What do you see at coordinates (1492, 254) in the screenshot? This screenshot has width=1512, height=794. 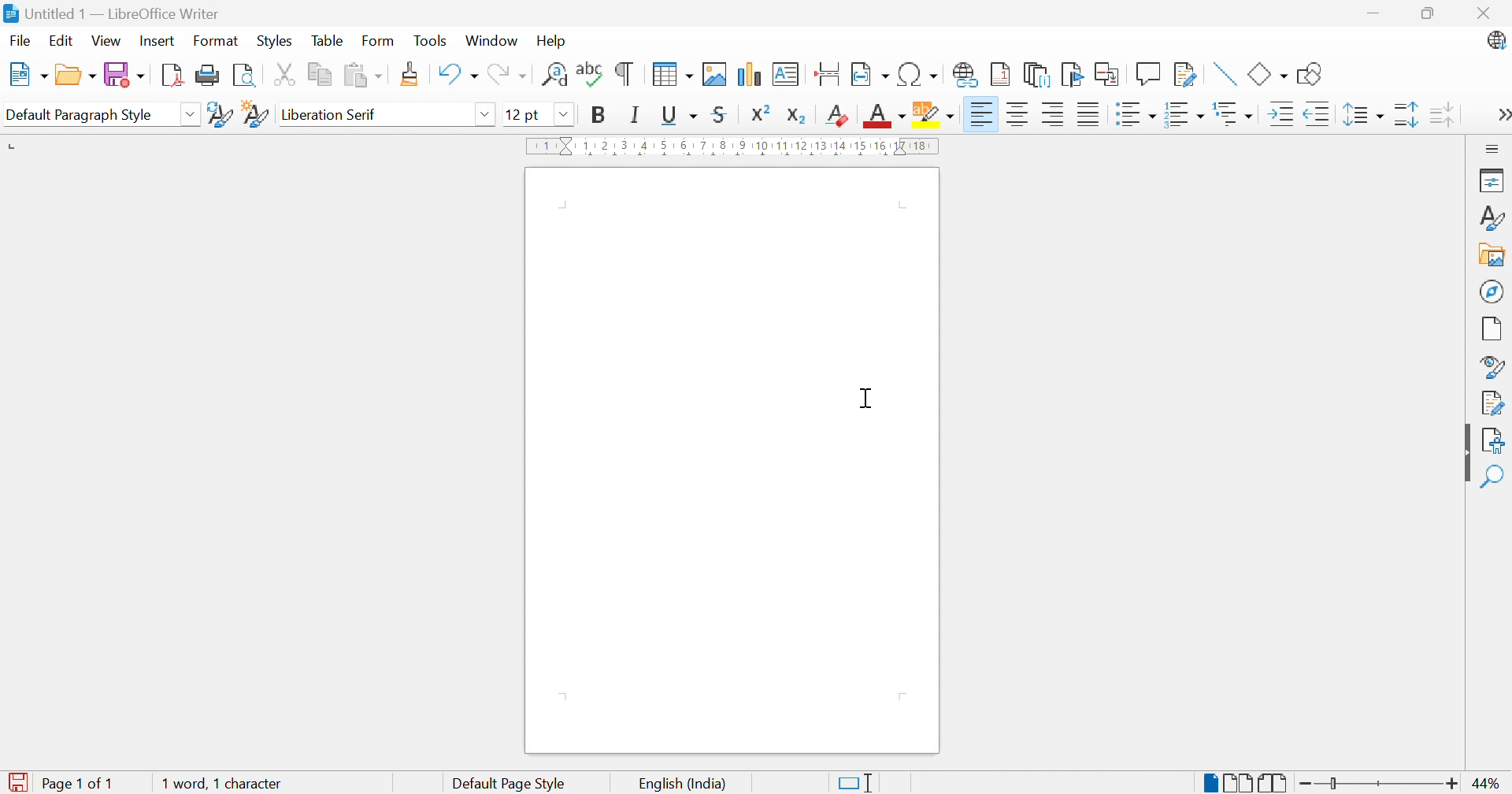 I see `Gallery` at bounding box center [1492, 254].